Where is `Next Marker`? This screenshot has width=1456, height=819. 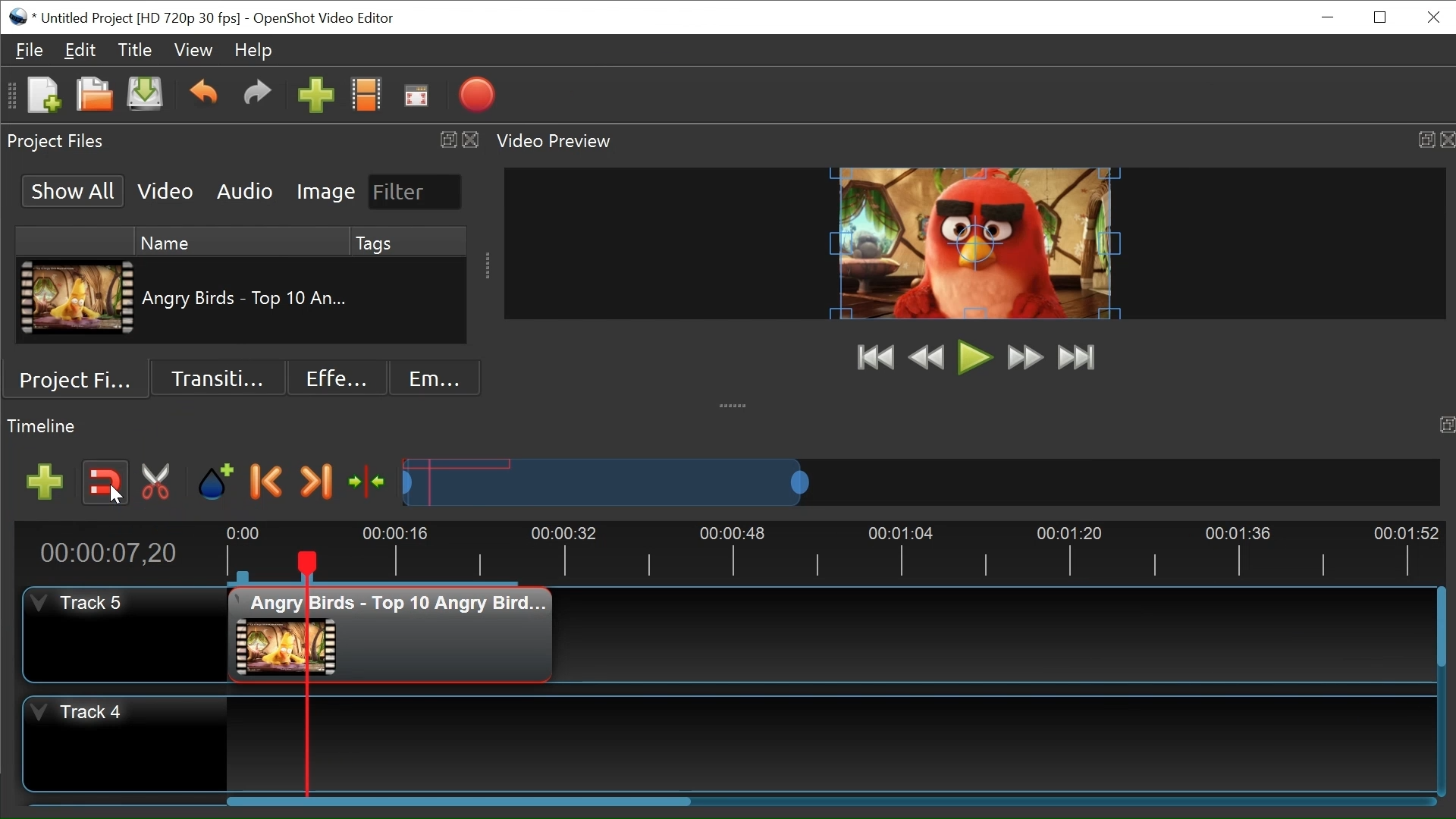
Next Marker is located at coordinates (317, 482).